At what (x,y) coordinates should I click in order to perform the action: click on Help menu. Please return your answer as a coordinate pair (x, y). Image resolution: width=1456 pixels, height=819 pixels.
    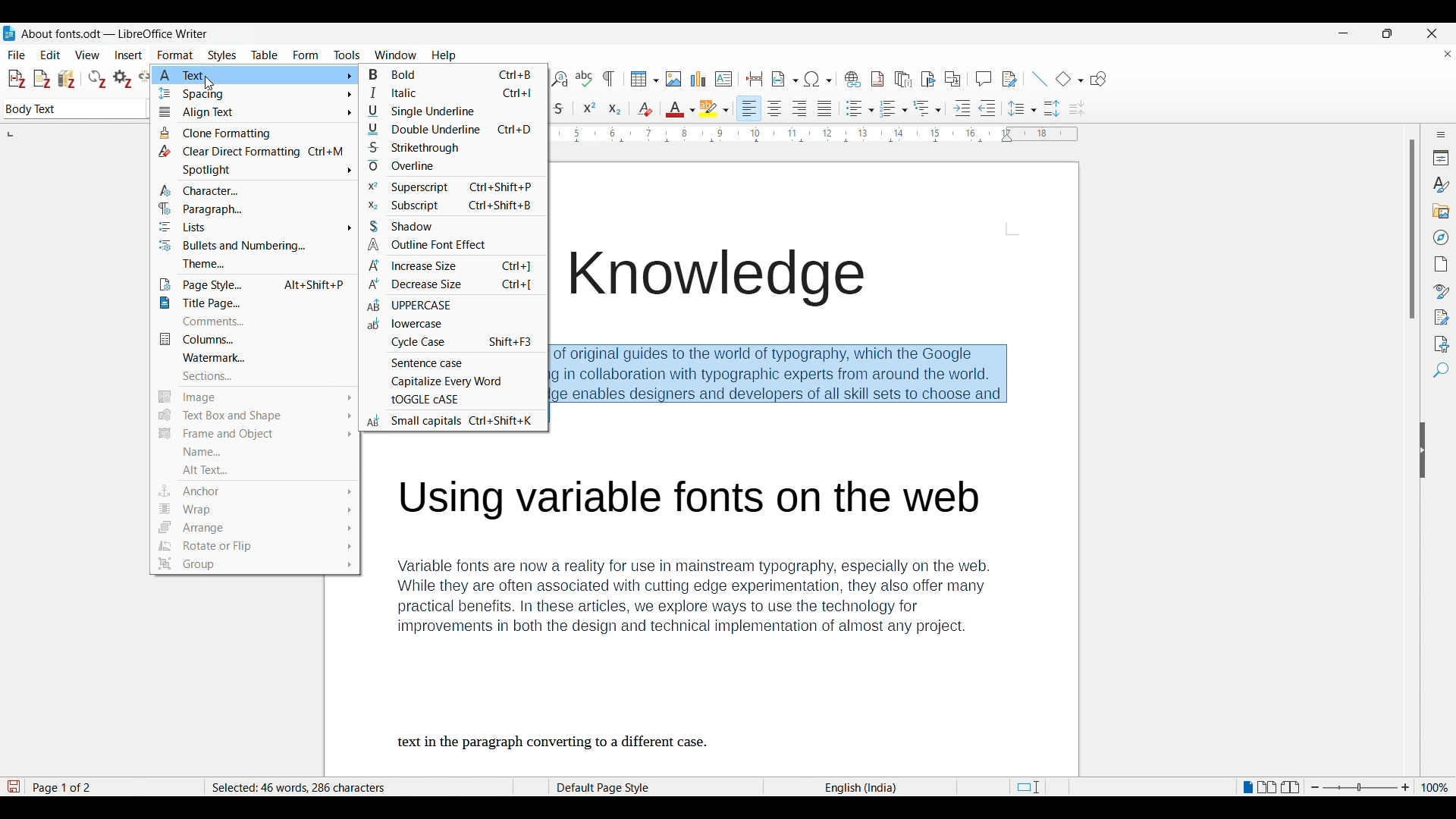
    Looking at the image, I should click on (444, 55).